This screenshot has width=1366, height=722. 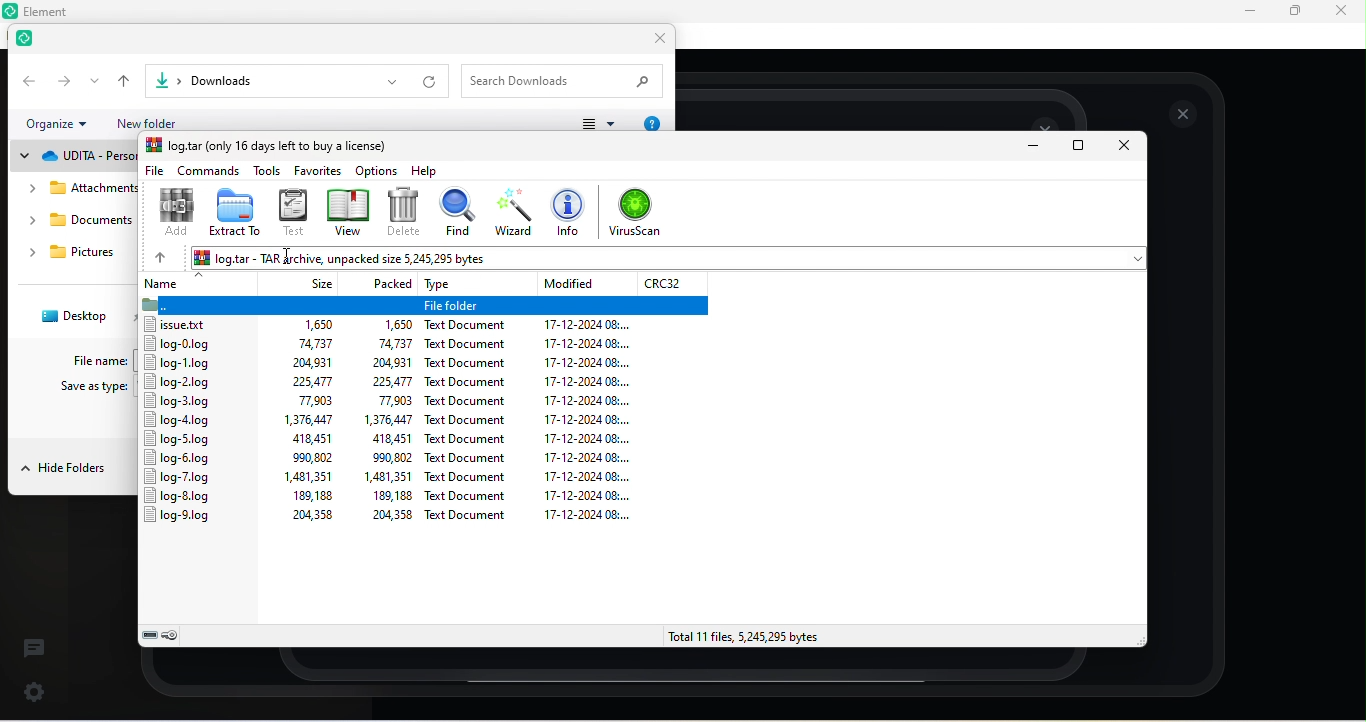 I want to click on new folder, so click(x=156, y=121).